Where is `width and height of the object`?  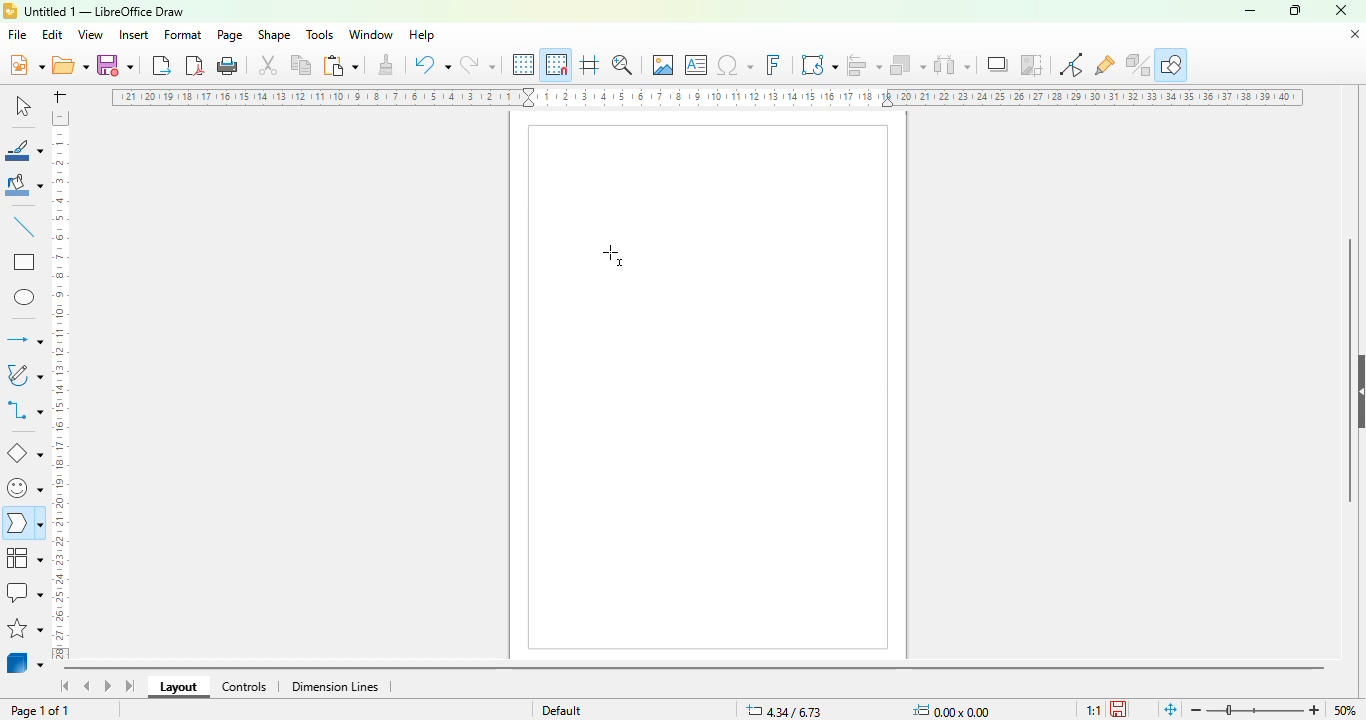
width and height of the object is located at coordinates (955, 710).